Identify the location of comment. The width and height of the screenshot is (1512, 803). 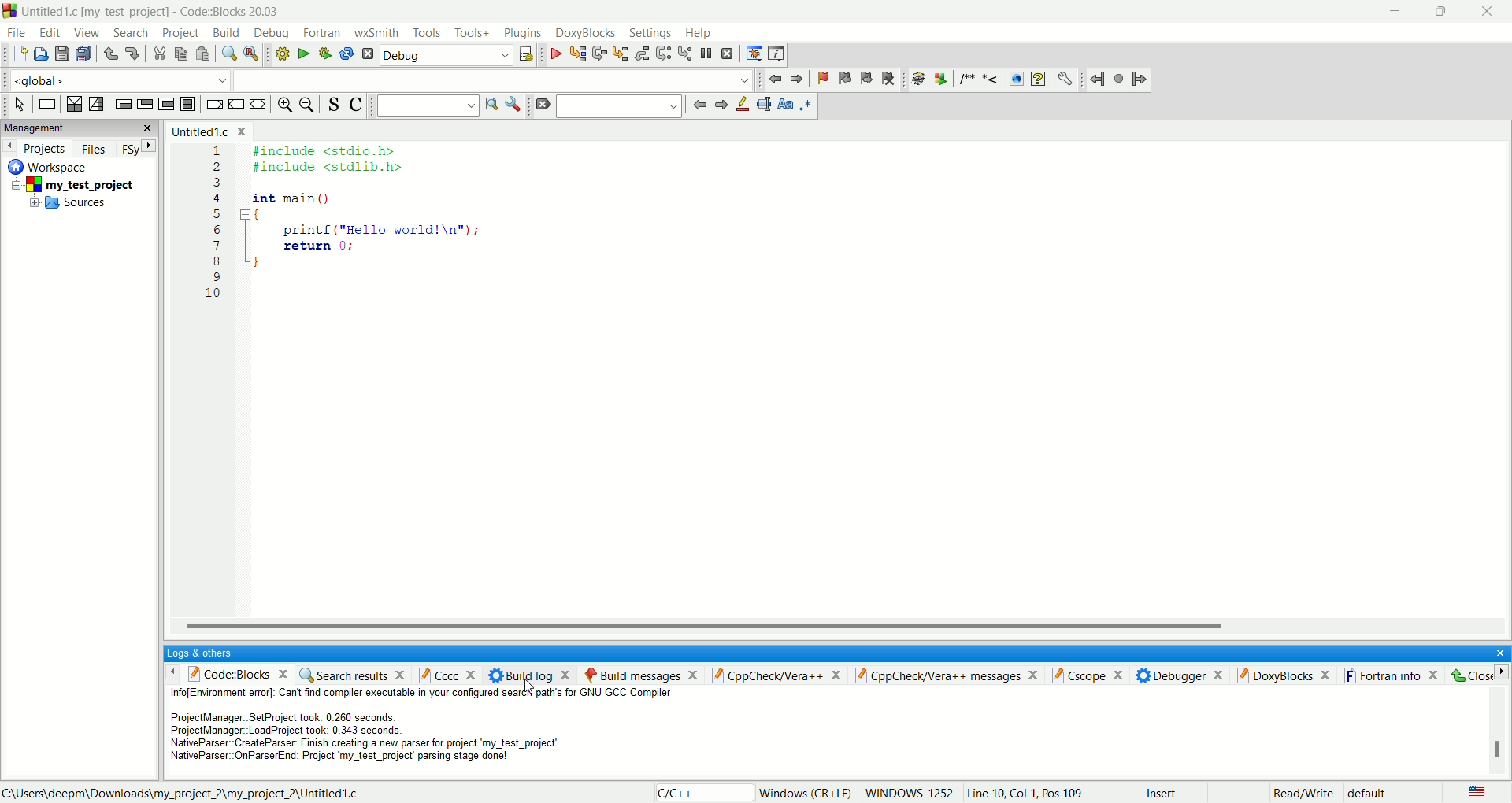
(981, 79).